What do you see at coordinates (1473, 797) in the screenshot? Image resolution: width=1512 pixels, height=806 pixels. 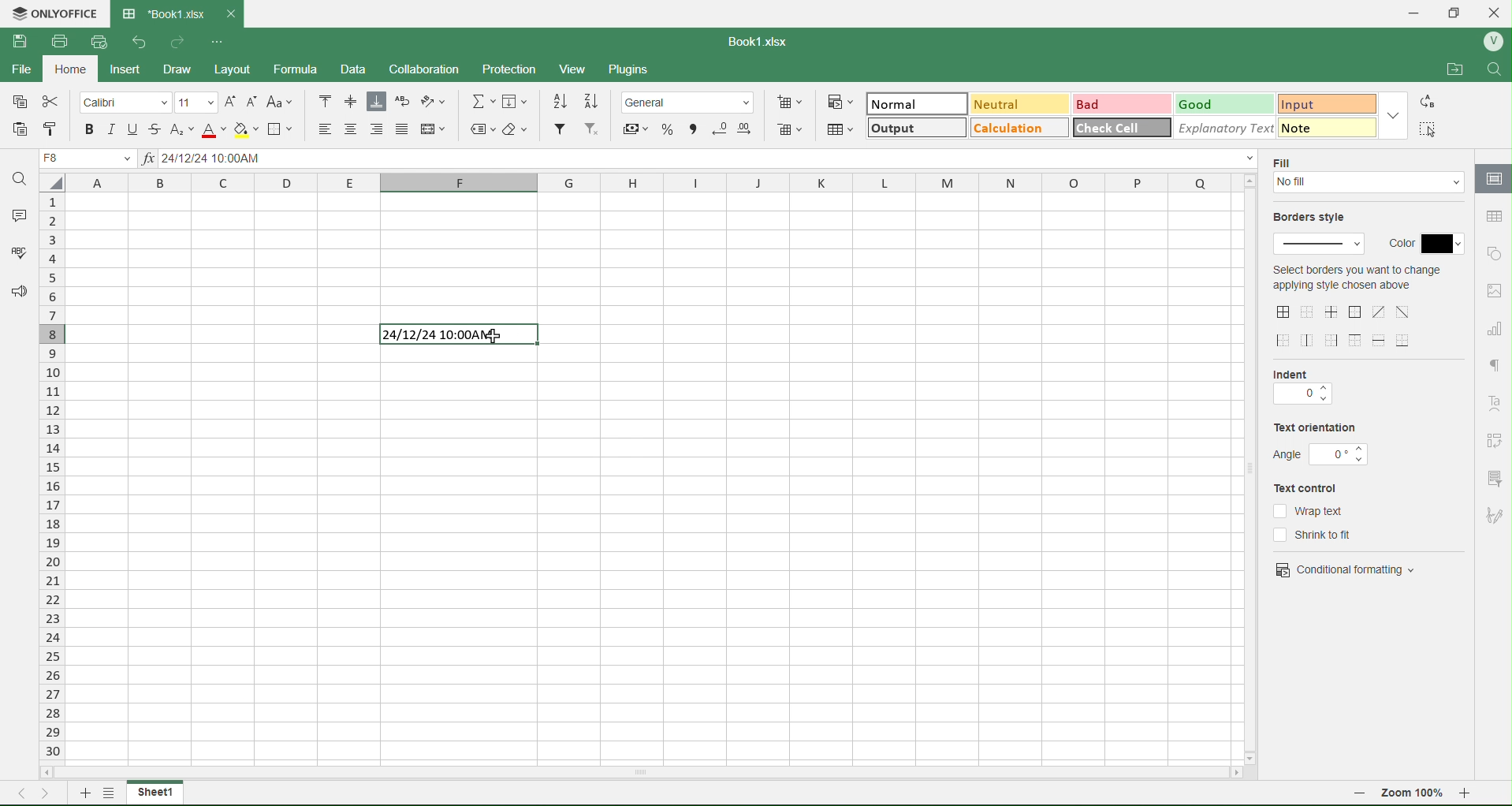 I see `zoom in` at bounding box center [1473, 797].